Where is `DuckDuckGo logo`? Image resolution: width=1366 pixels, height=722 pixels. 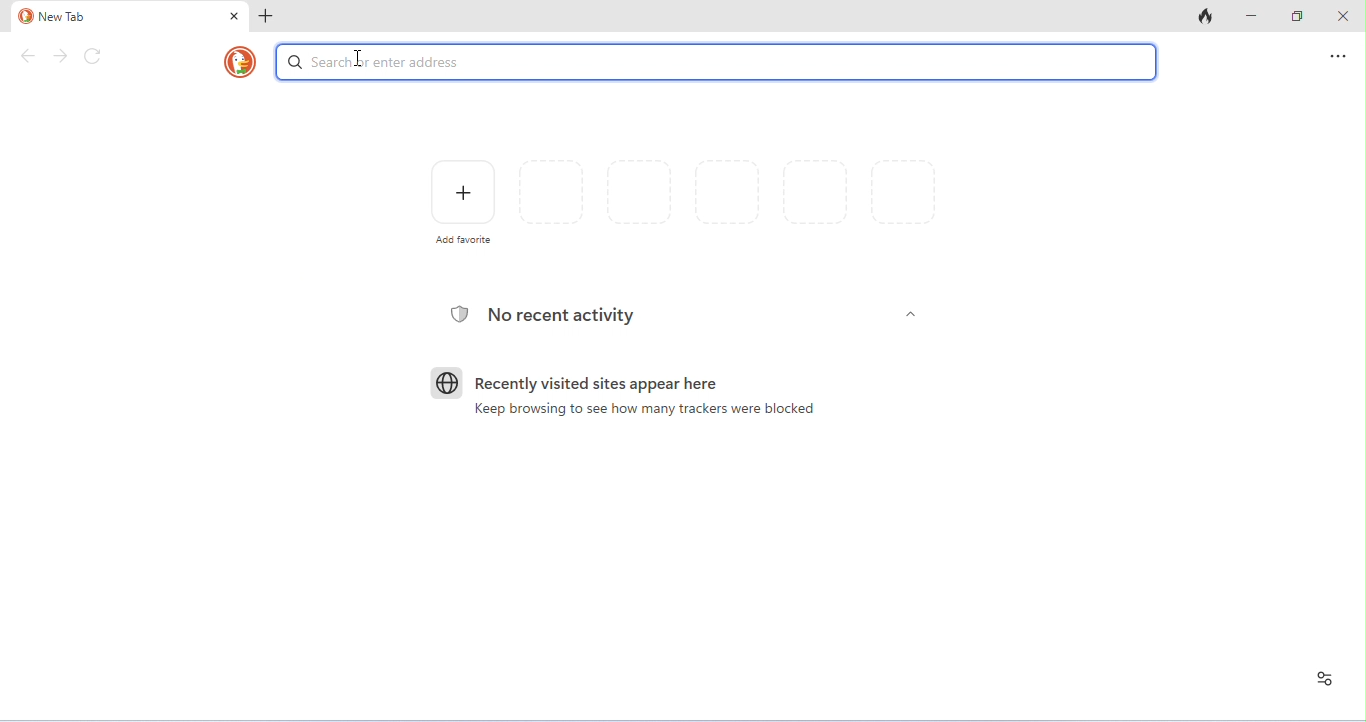 DuckDuckGo logo is located at coordinates (241, 61).